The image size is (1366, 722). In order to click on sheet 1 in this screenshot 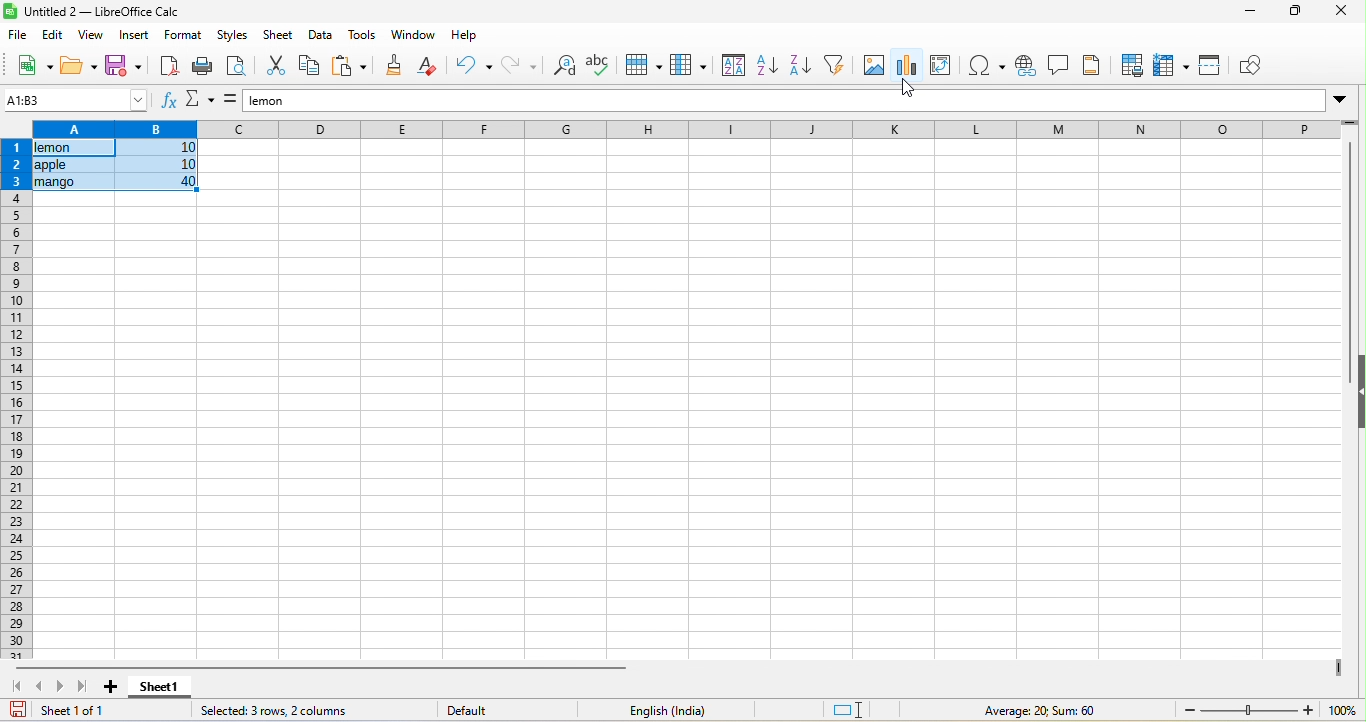, I will do `click(164, 688)`.